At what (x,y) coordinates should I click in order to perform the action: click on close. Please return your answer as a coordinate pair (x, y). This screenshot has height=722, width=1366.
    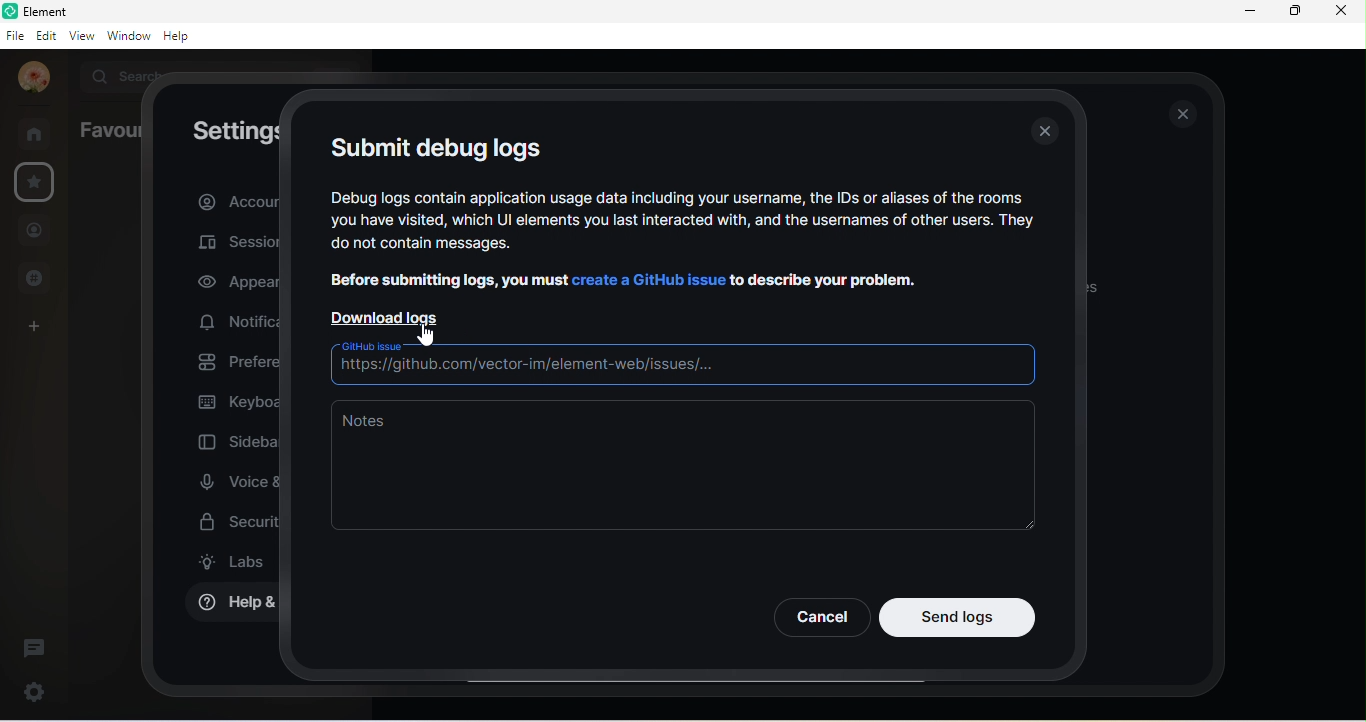
    Looking at the image, I should click on (1184, 114).